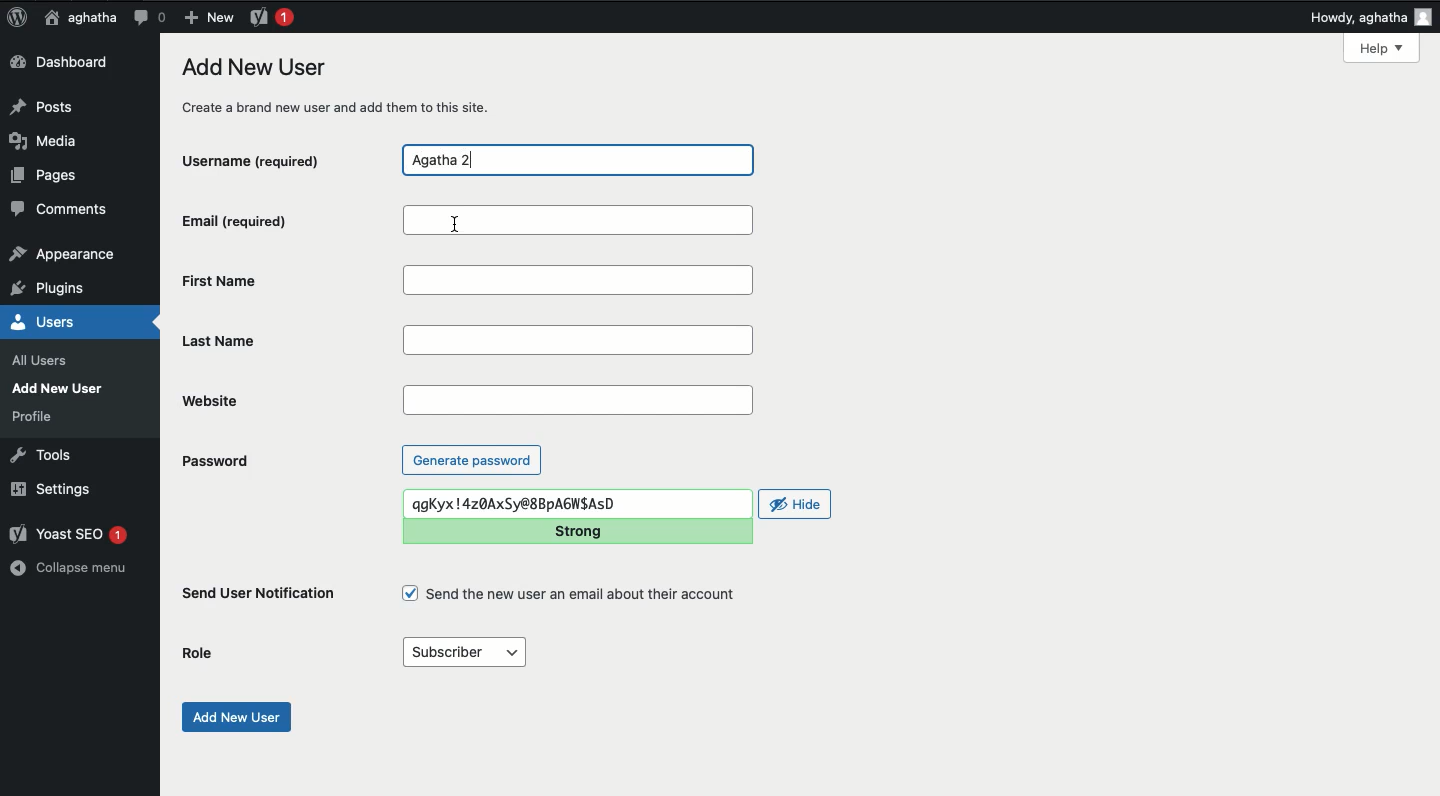  I want to click on Help, so click(1381, 48).